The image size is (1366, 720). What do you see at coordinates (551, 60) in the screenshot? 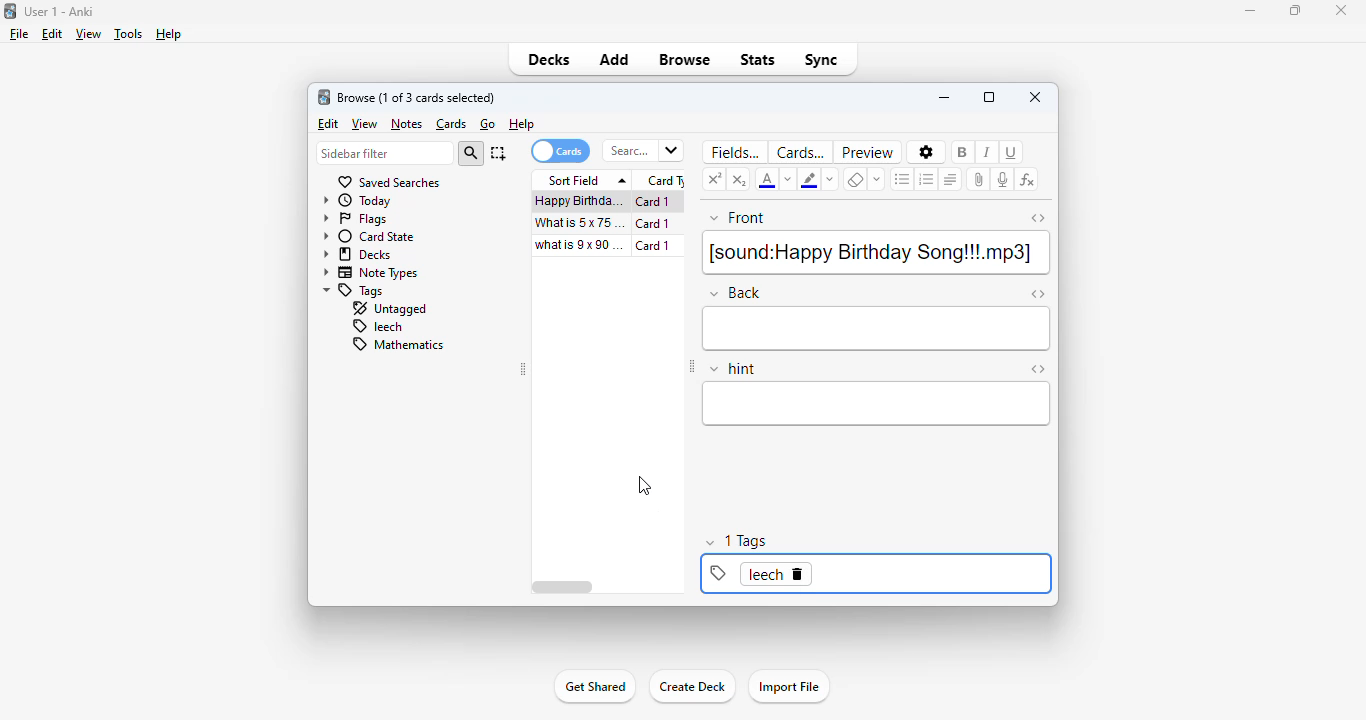
I see `decks` at bounding box center [551, 60].